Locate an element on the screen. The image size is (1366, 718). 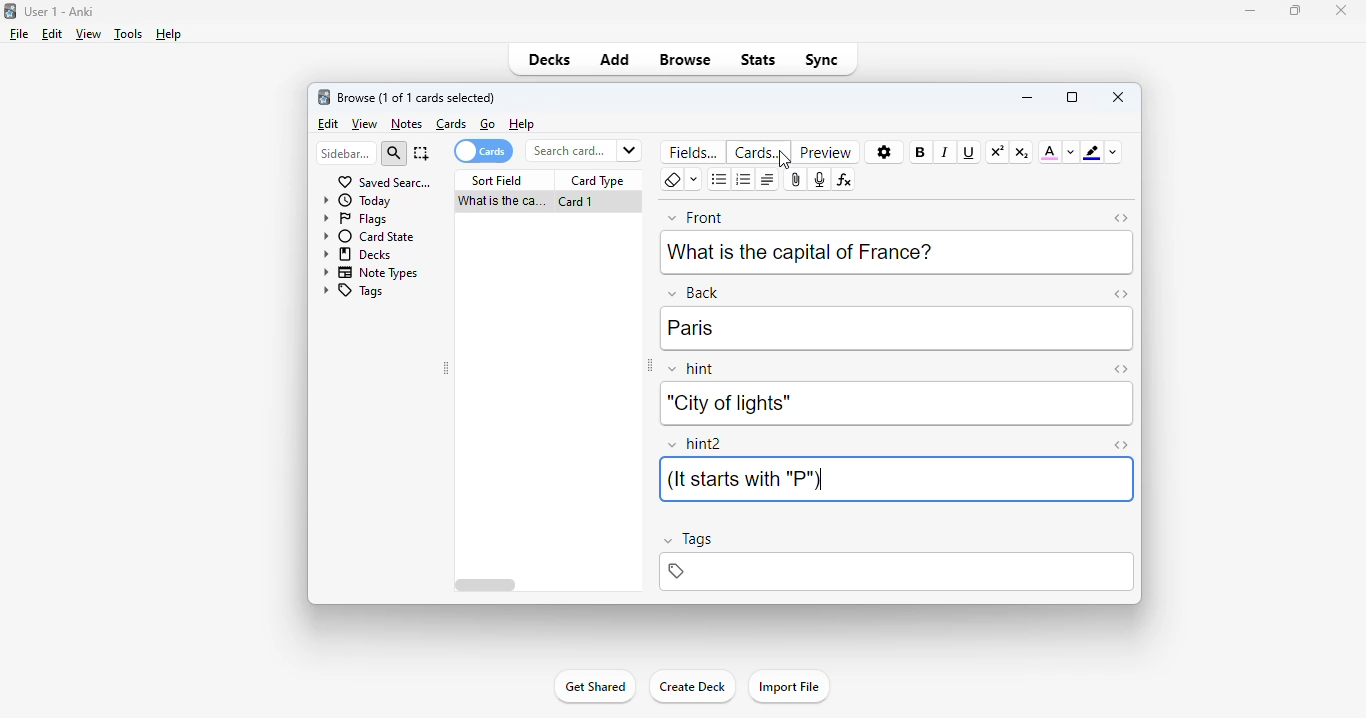
italic is located at coordinates (944, 152).